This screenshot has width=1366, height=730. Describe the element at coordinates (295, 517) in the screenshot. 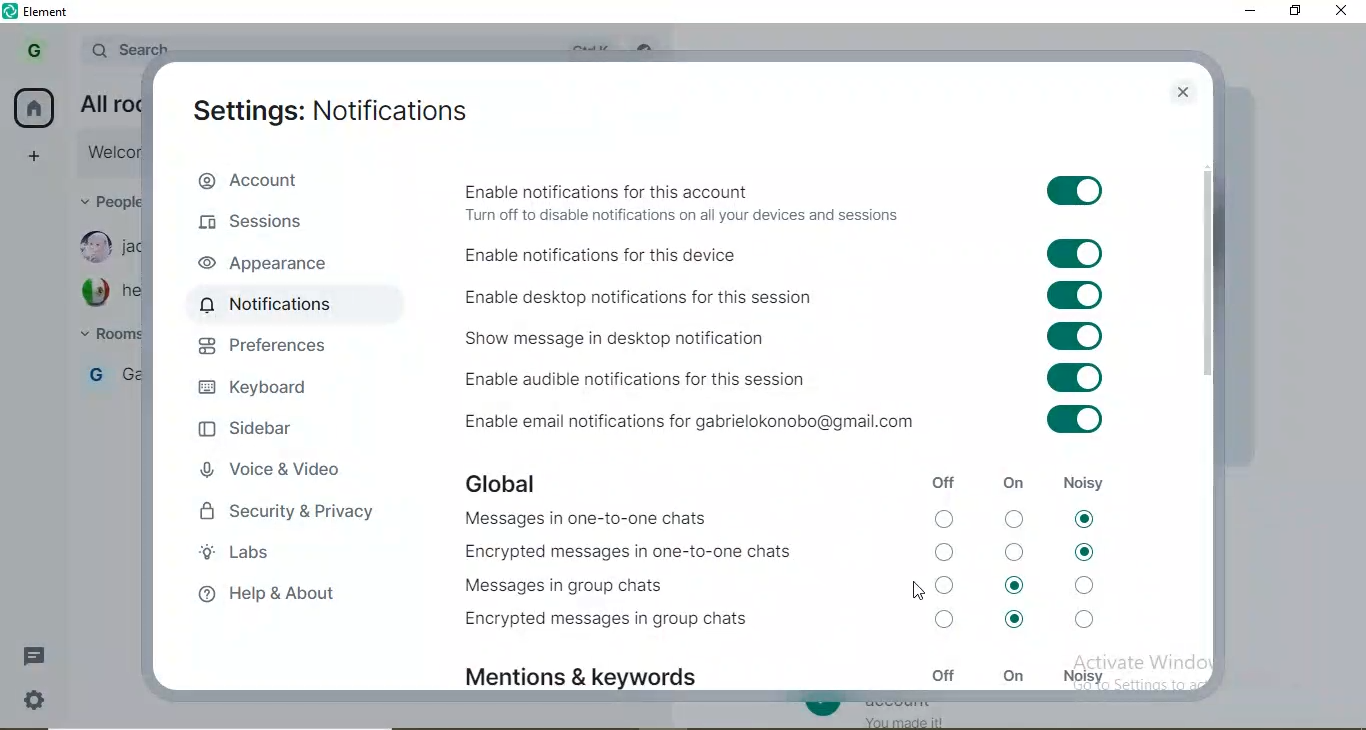

I see `security & privavcy` at that location.